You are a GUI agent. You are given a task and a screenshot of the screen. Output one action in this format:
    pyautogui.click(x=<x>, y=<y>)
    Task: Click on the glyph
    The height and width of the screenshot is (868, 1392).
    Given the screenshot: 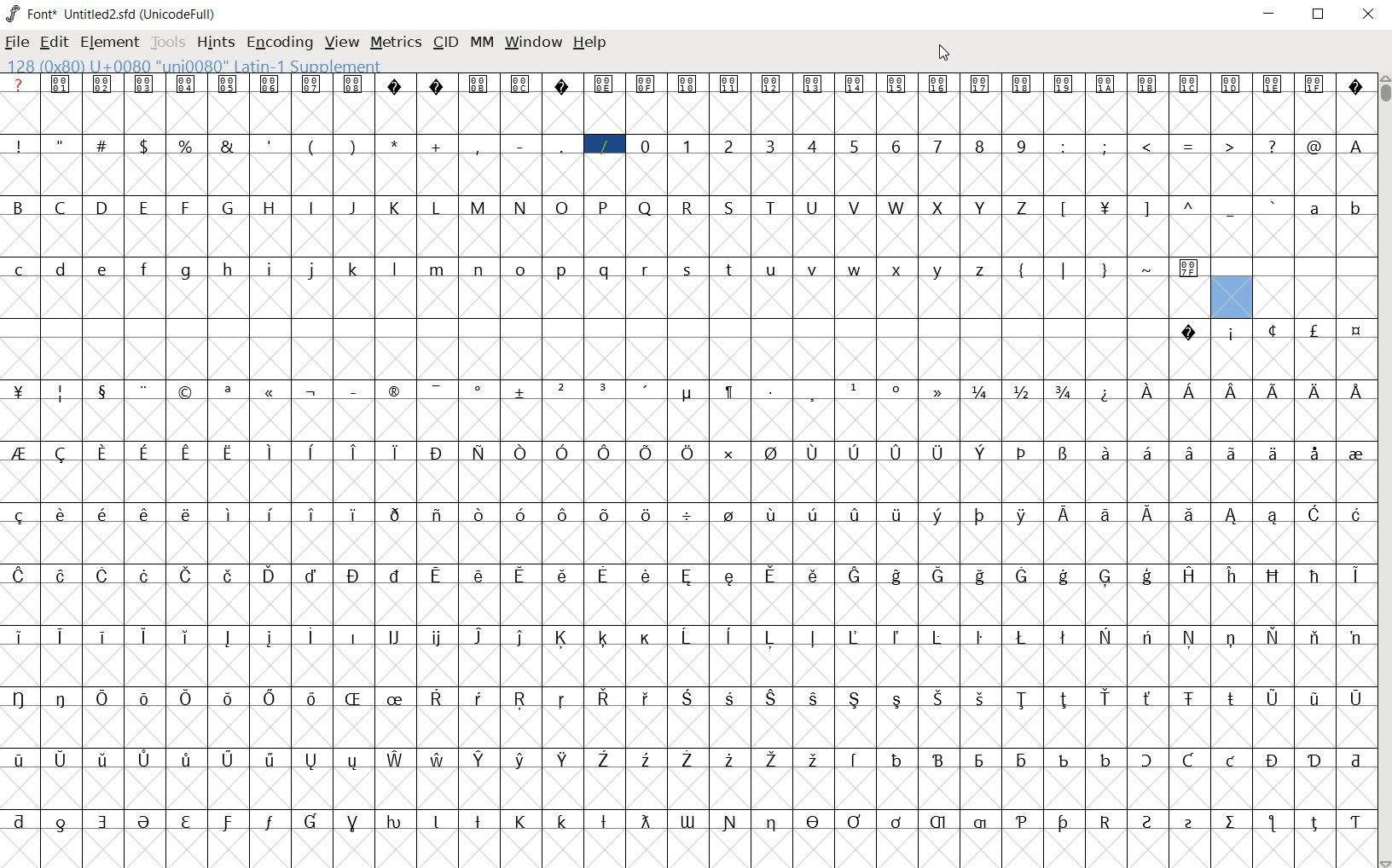 What is the action you would take?
    pyautogui.click(x=144, y=84)
    